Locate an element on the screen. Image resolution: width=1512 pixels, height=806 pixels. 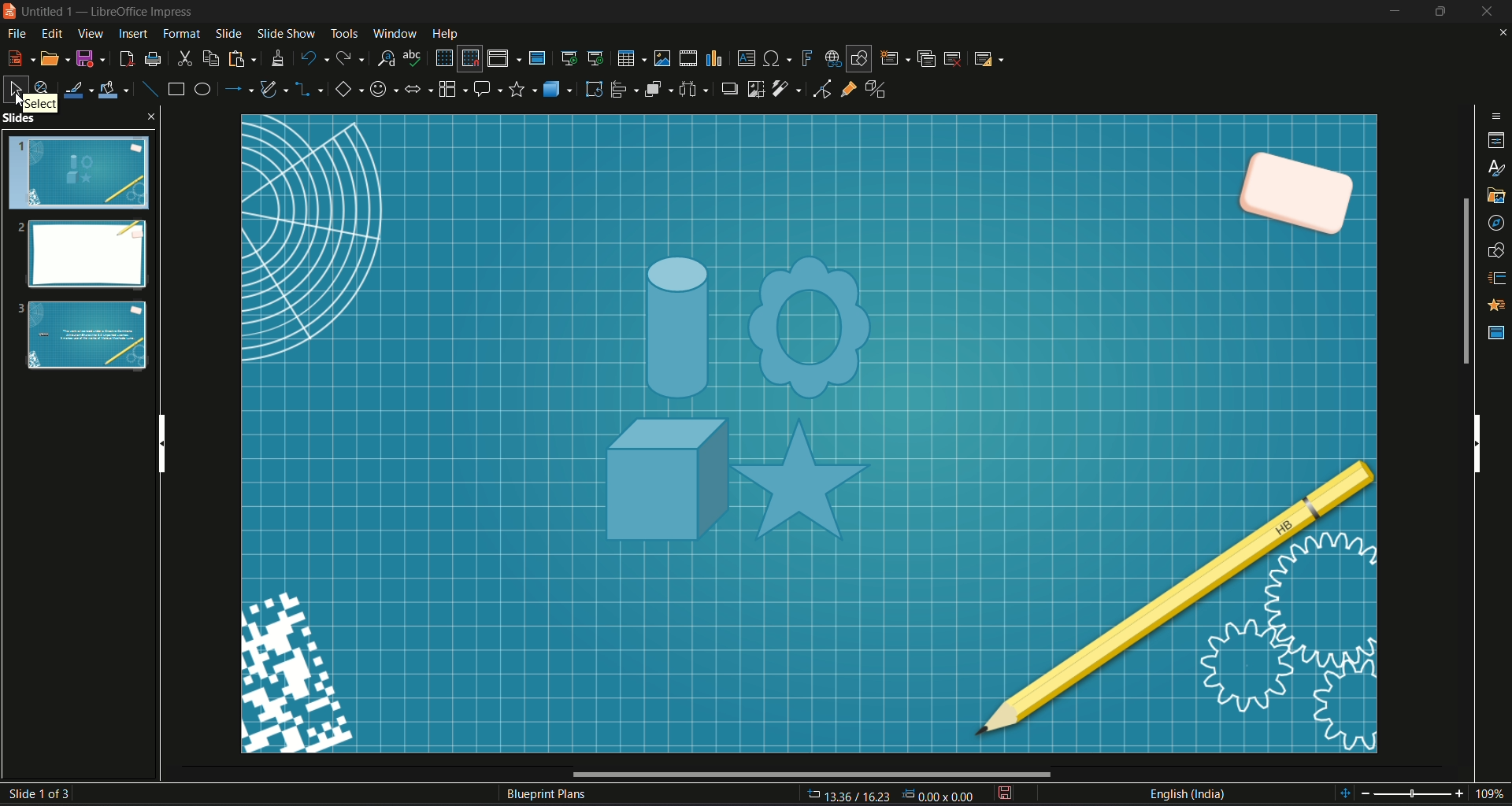
undo is located at coordinates (313, 57).